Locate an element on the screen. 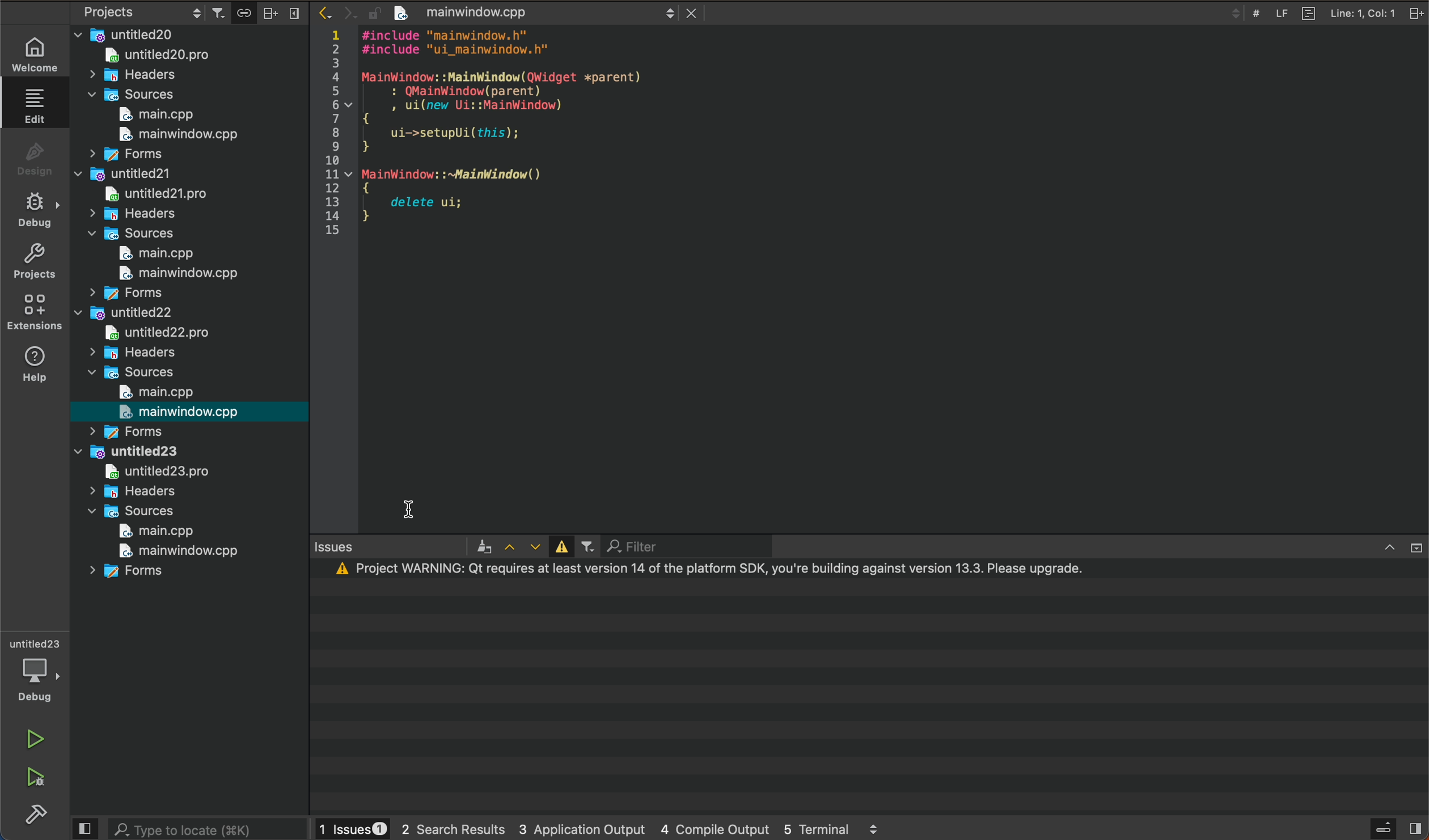 The height and width of the screenshot is (840, 1429). close slide bar is located at coordinates (86, 829).